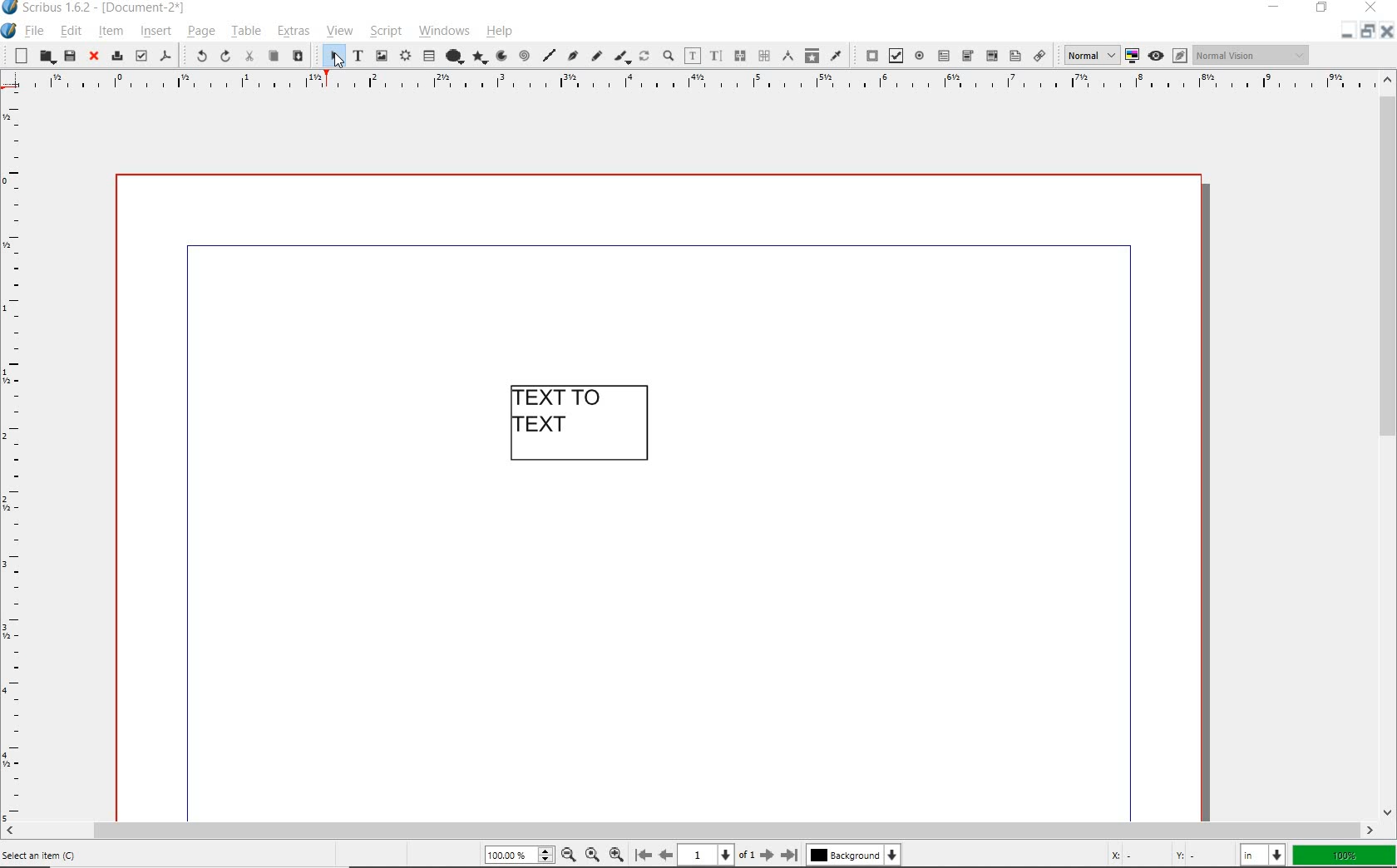  Describe the element at coordinates (788, 57) in the screenshot. I see `measurements` at that location.